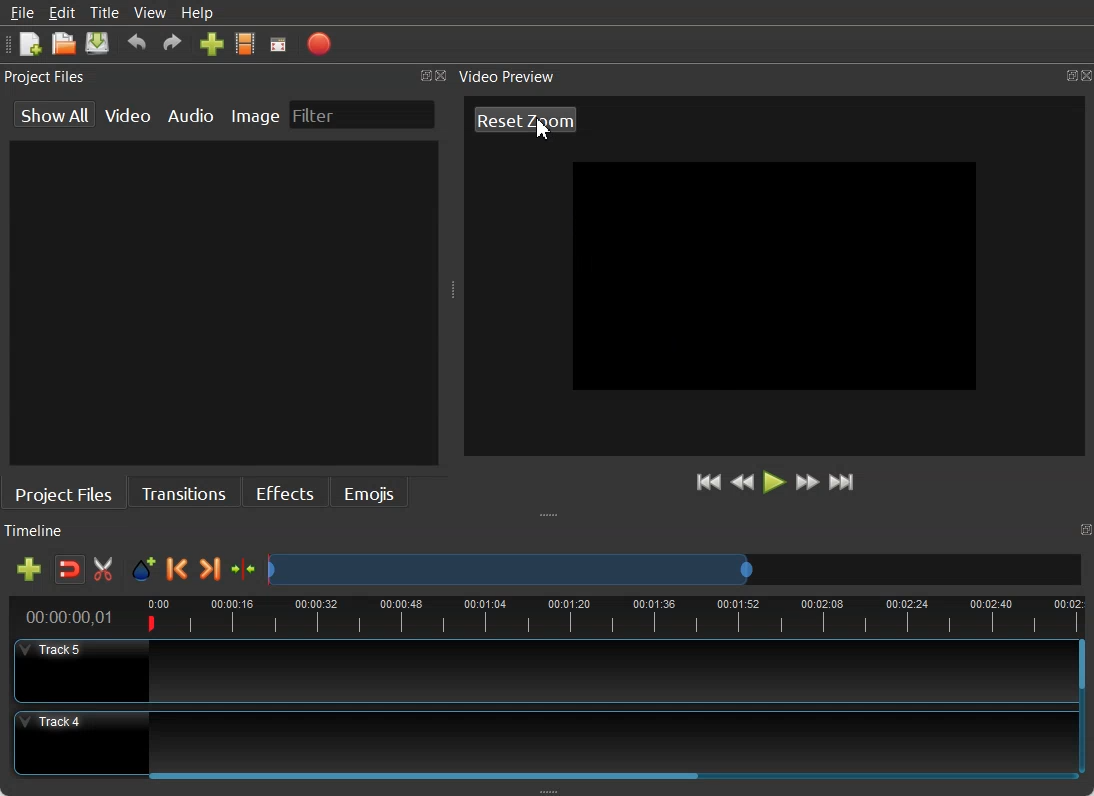  Describe the element at coordinates (542, 776) in the screenshot. I see `Horizontal Scroll bar ` at that location.